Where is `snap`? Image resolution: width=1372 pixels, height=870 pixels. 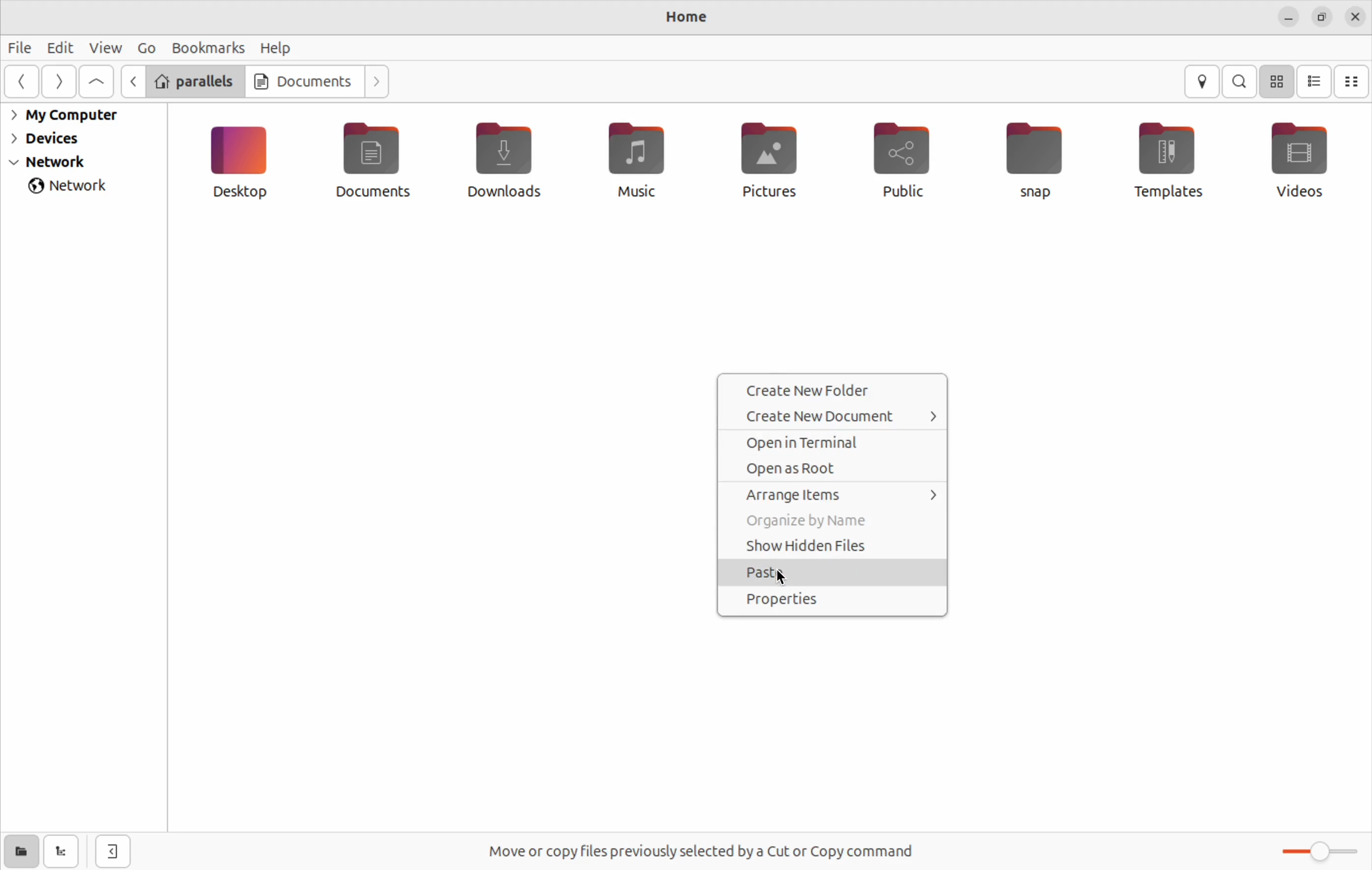
snap is located at coordinates (1039, 161).